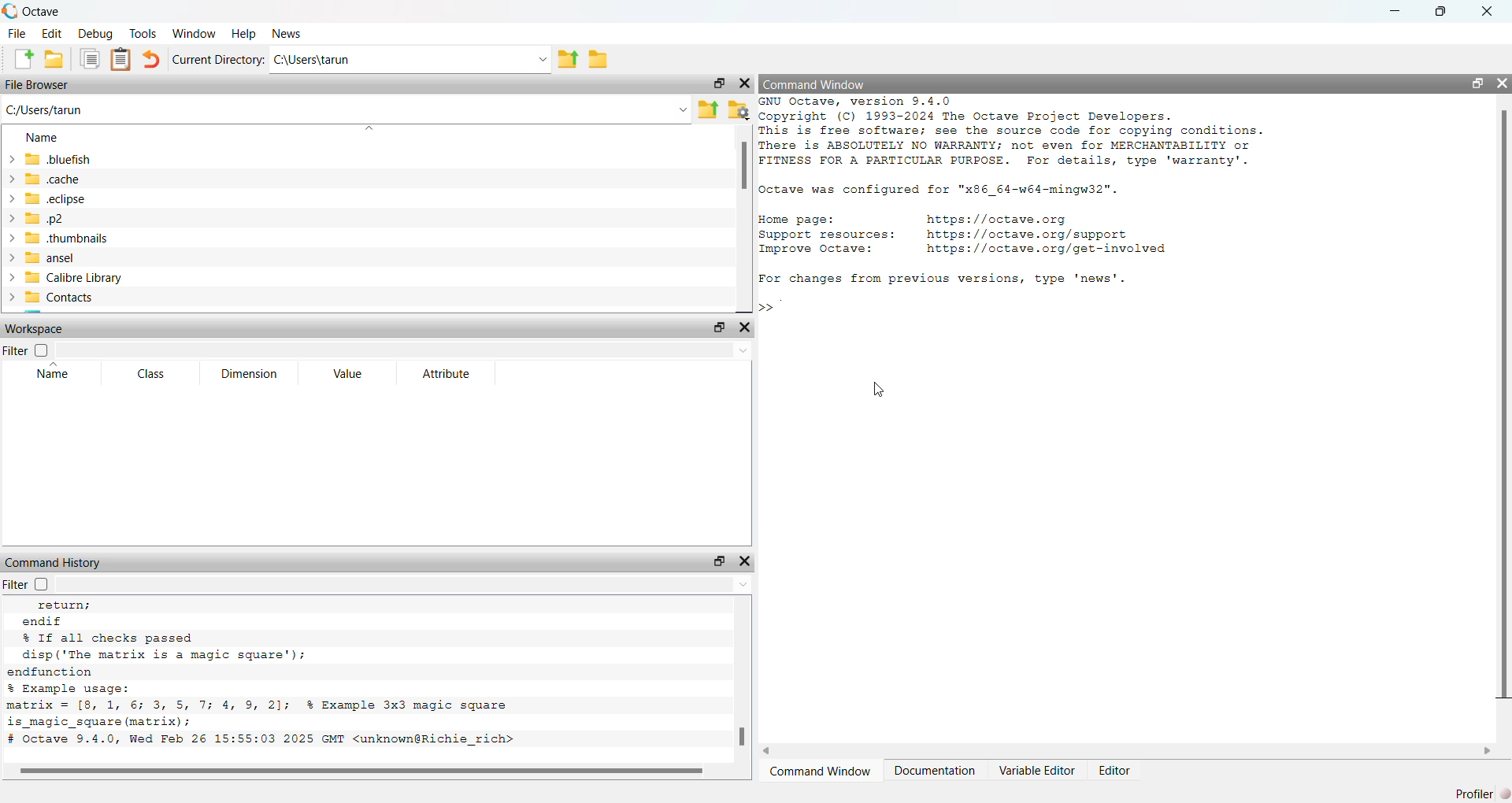  I want to click on Current Directory:, so click(217, 60).